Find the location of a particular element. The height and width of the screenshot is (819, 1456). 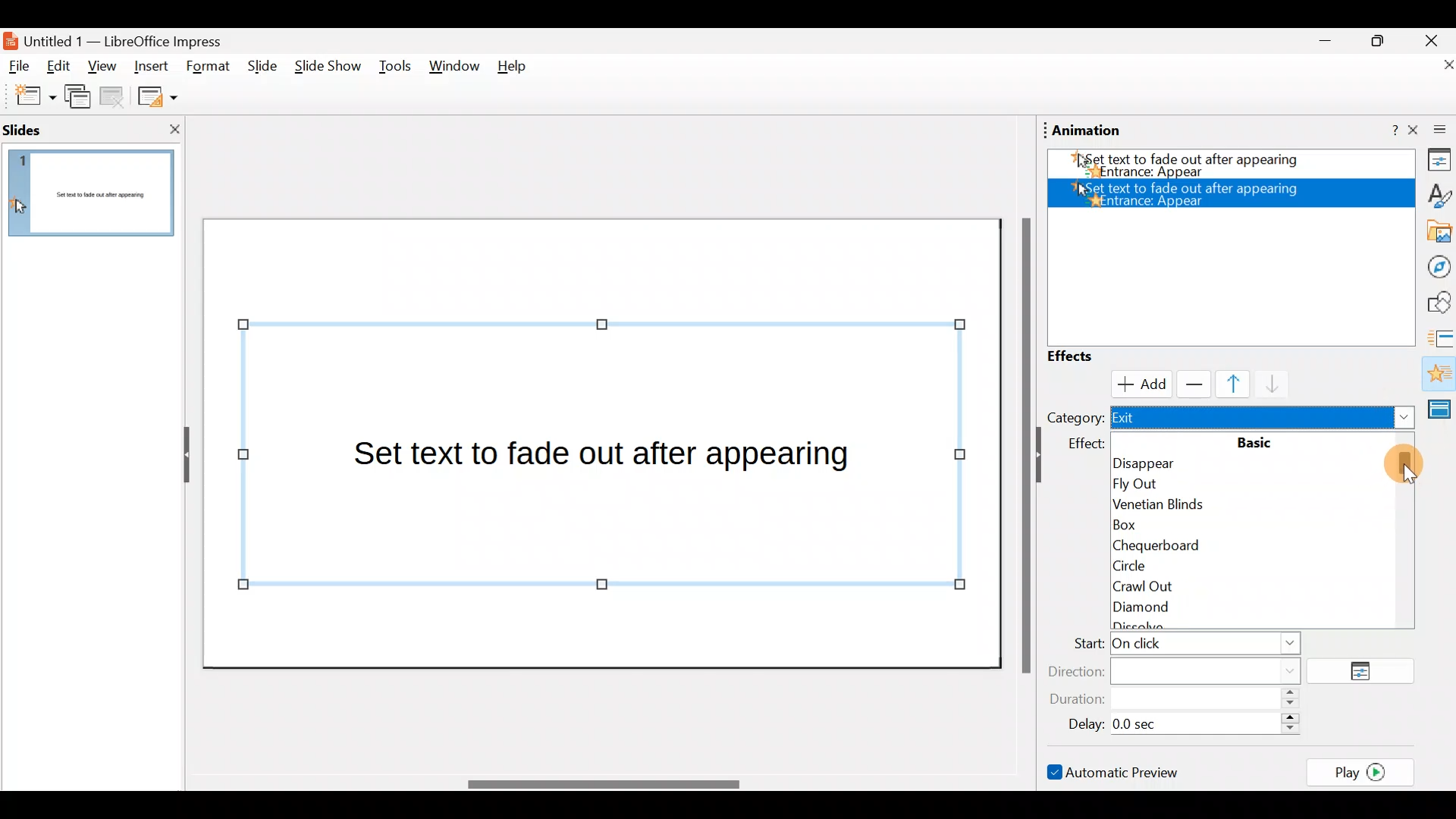

Slide layout is located at coordinates (156, 96).